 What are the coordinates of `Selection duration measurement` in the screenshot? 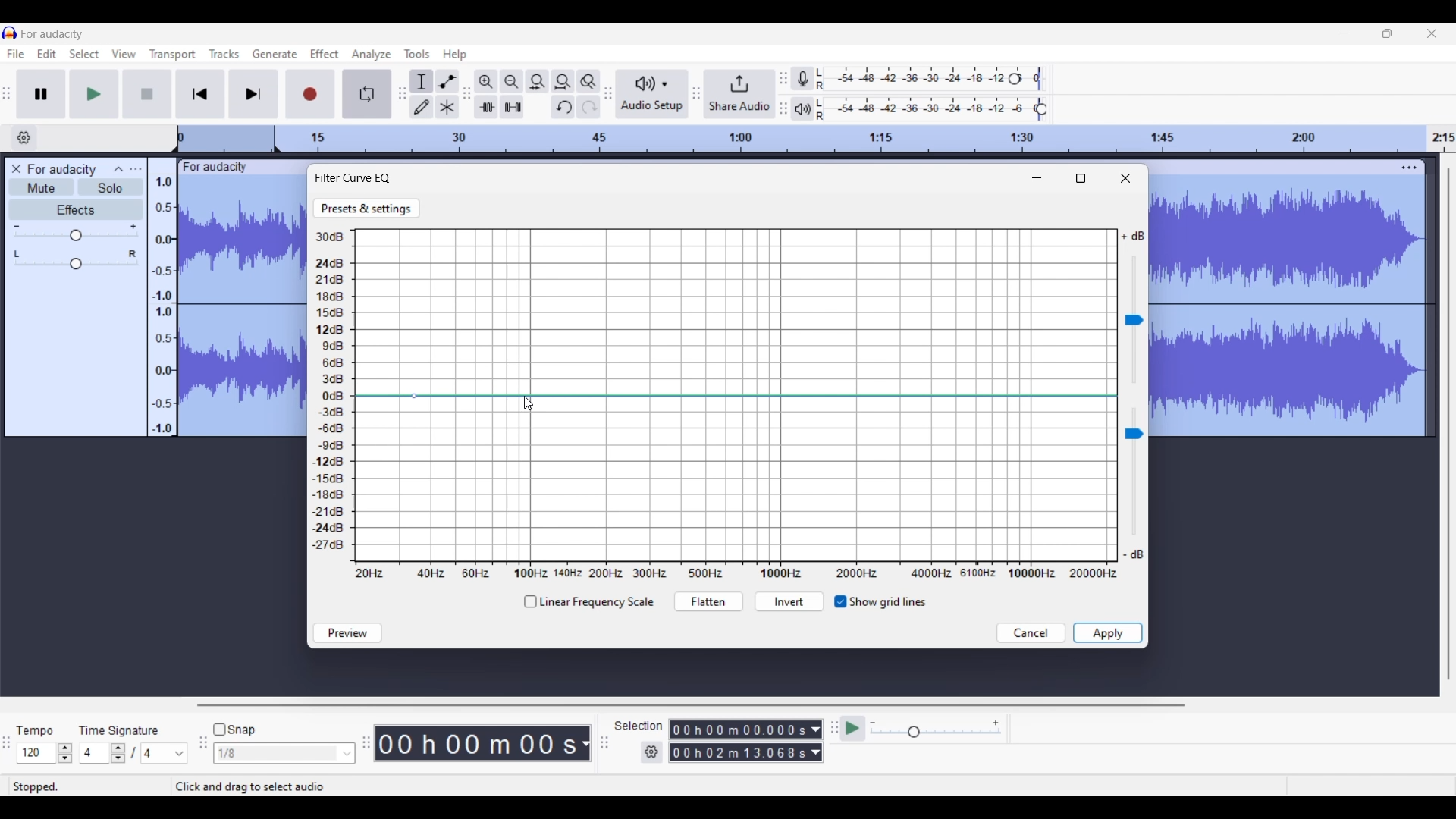 It's located at (815, 741).